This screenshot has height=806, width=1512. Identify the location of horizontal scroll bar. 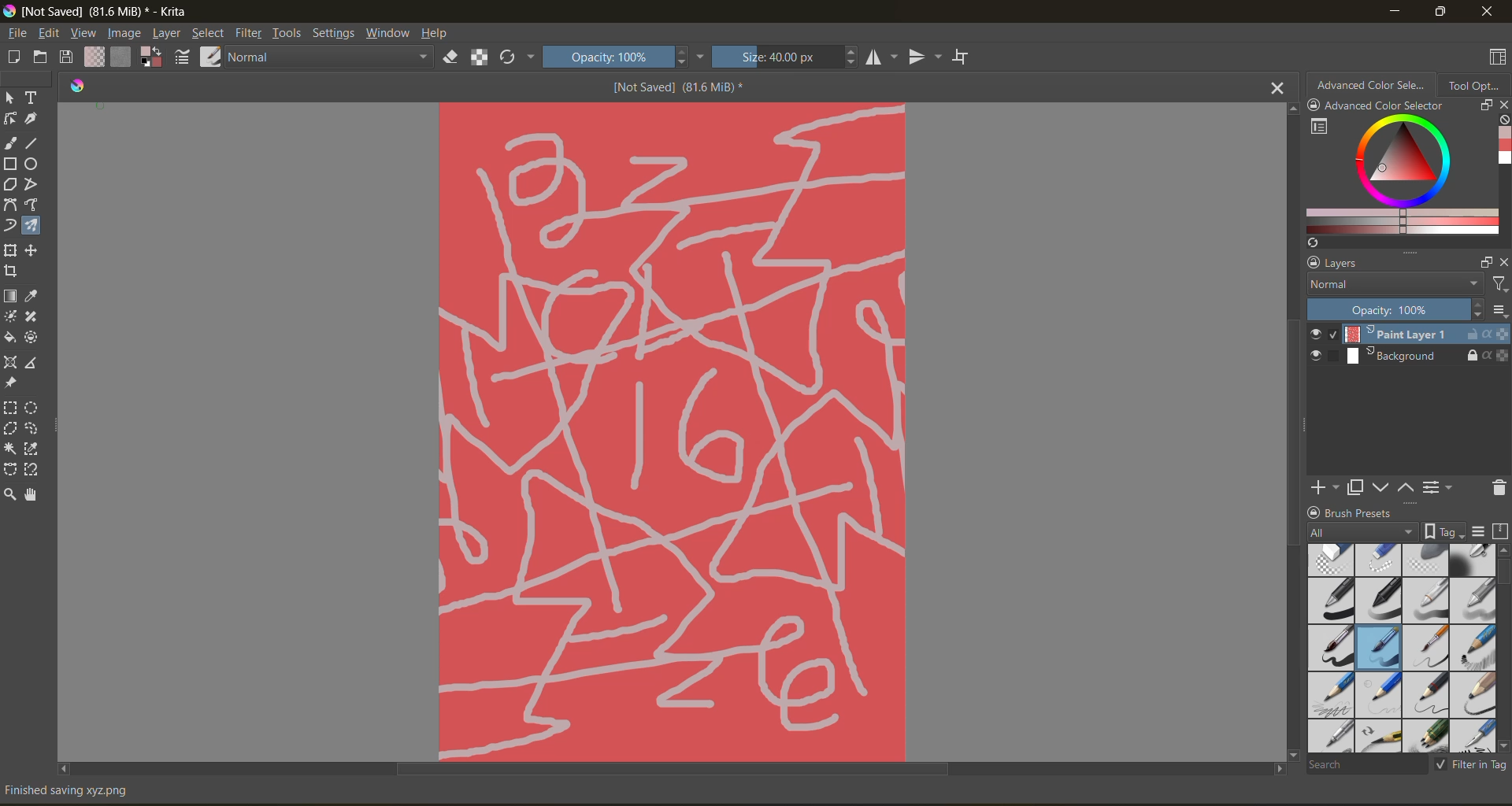
(671, 769).